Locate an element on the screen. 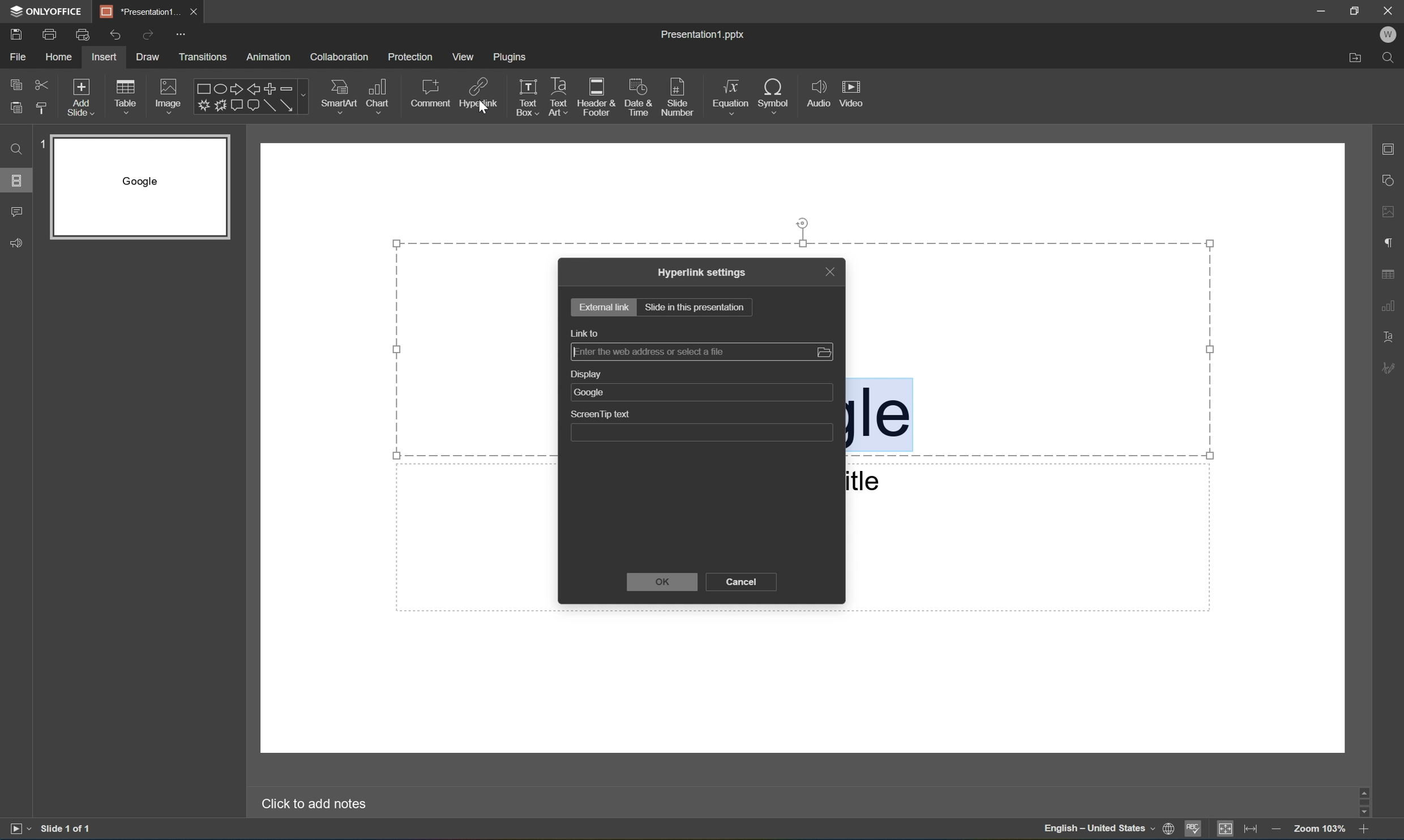 Image resolution: width=1404 pixels, height=840 pixels. Click to add notes is located at coordinates (310, 805).